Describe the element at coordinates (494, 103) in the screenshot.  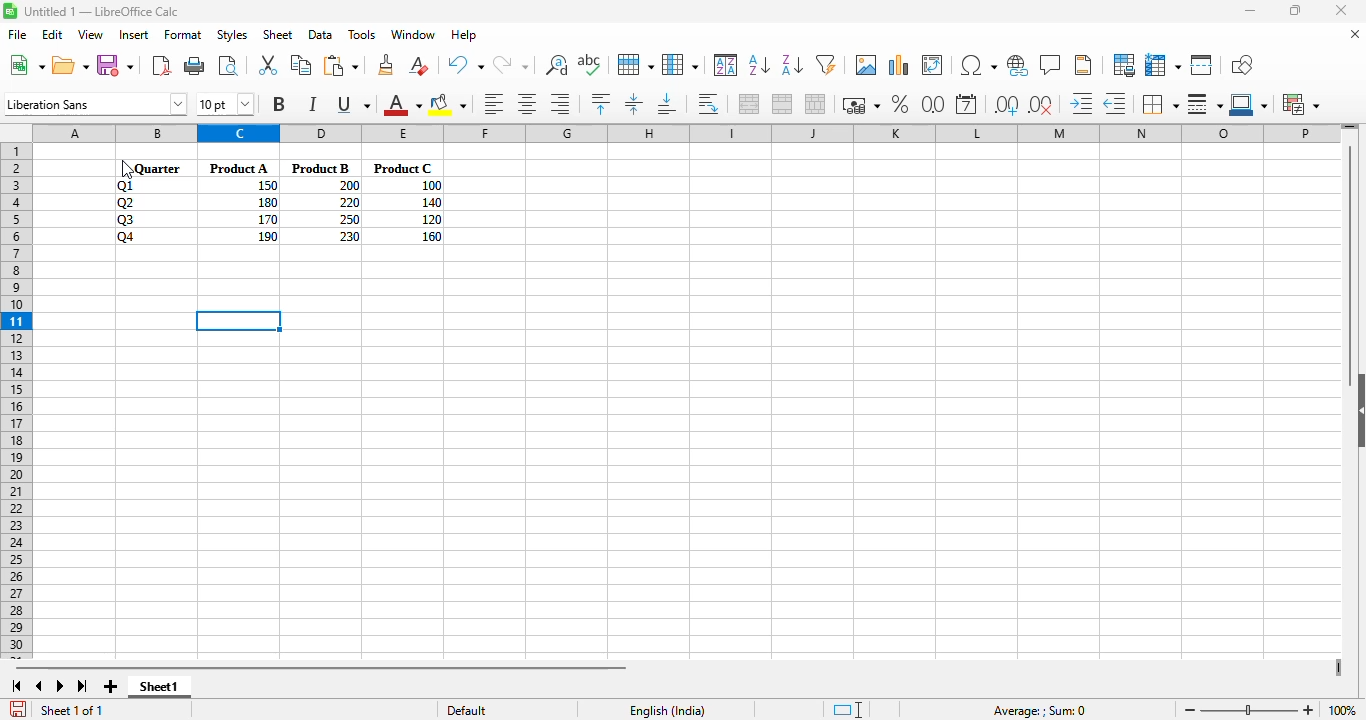
I see `align left` at that location.